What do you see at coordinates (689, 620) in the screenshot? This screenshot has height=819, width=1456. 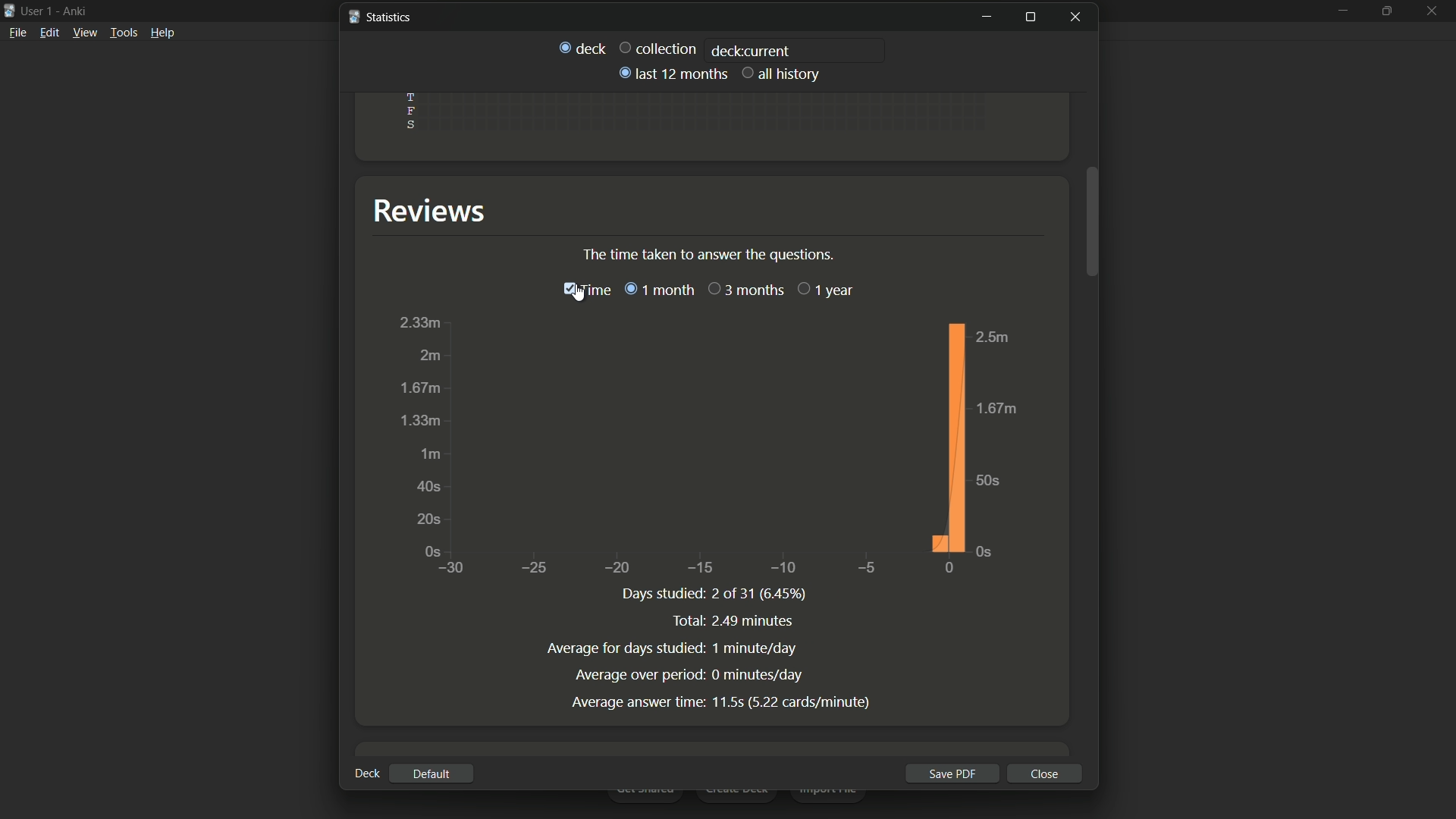 I see `total` at bounding box center [689, 620].